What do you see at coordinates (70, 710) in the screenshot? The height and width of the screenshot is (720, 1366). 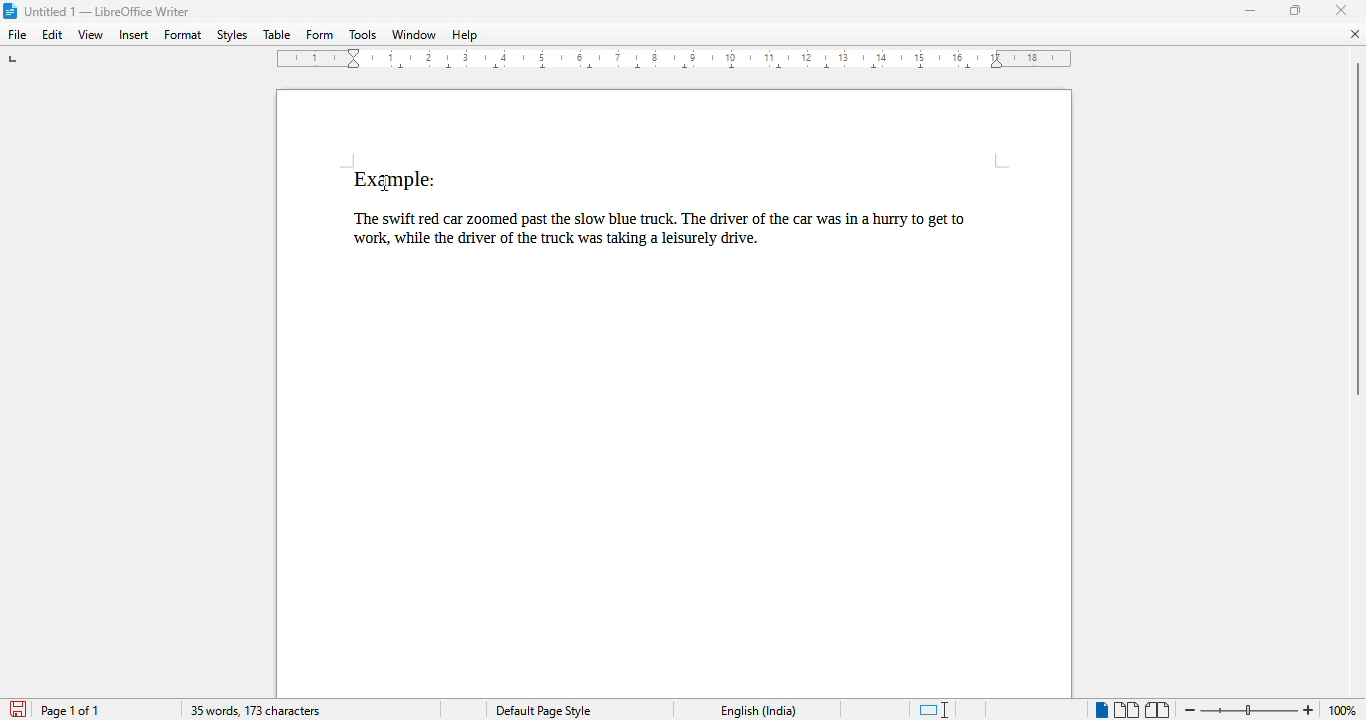 I see `page 1 of 1` at bounding box center [70, 710].